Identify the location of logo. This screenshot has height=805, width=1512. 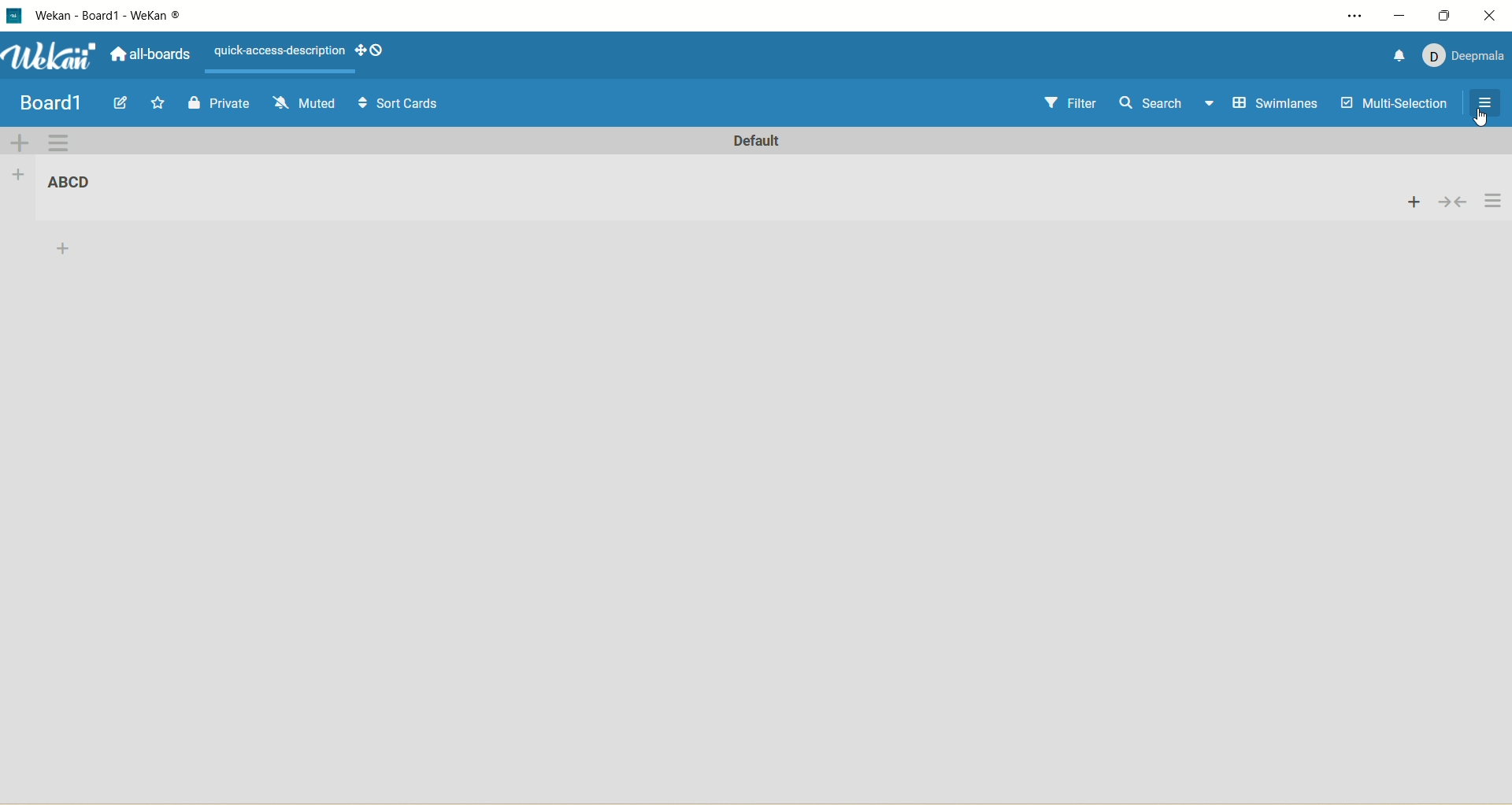
(17, 16).